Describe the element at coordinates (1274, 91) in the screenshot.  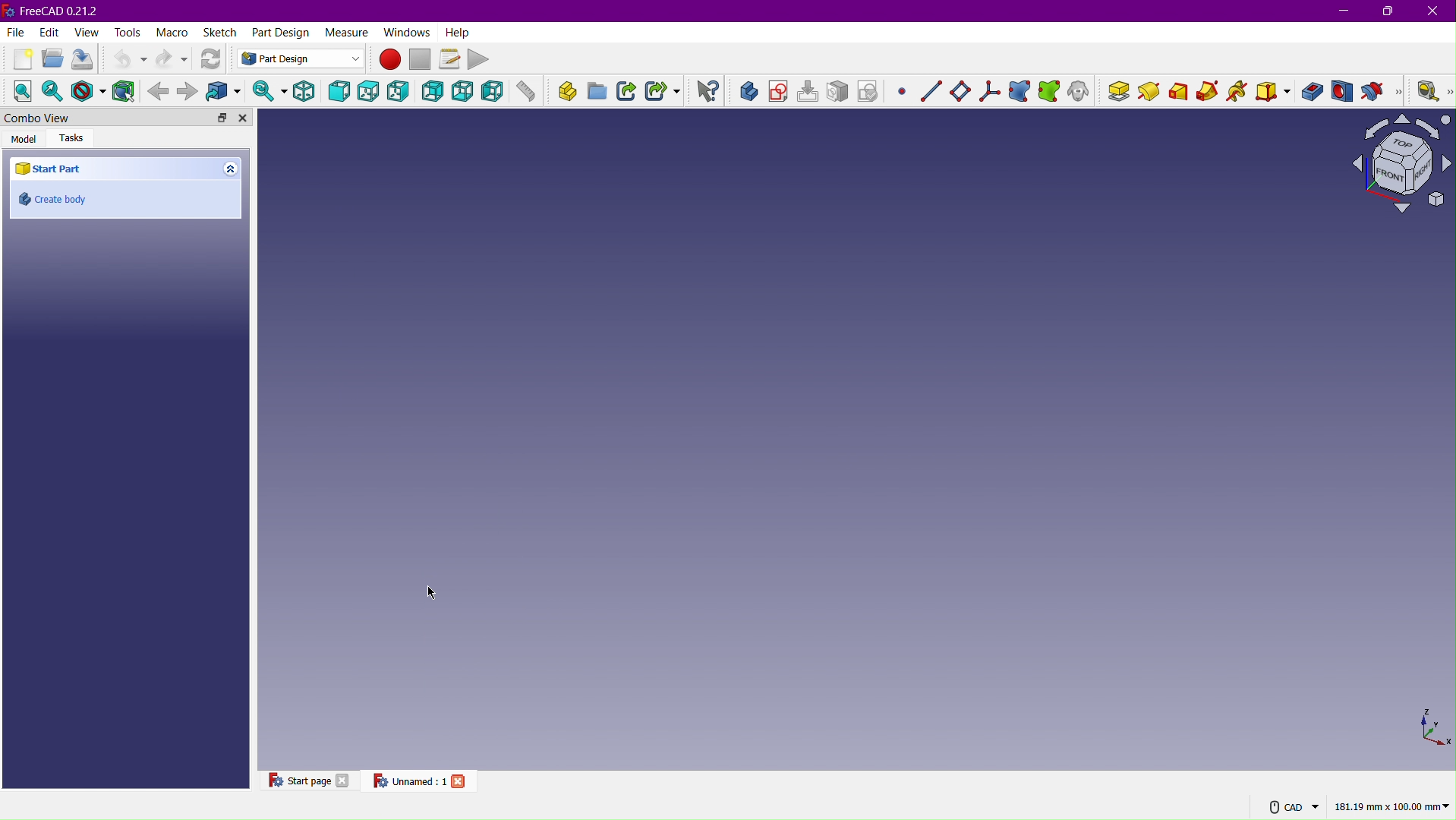
I see `Create additive primitive` at that location.